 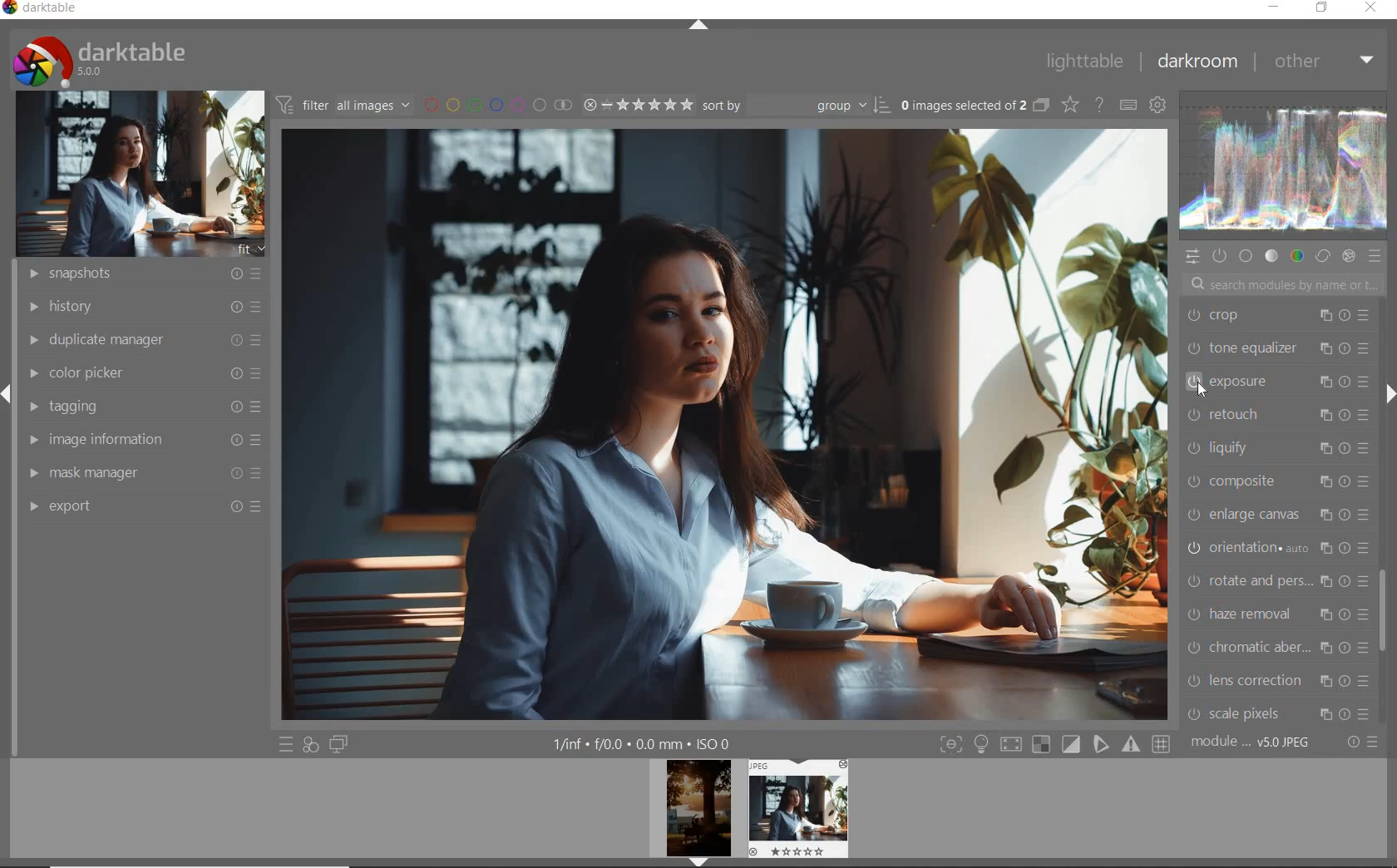 What do you see at coordinates (1277, 317) in the screenshot?
I see `CROP` at bounding box center [1277, 317].